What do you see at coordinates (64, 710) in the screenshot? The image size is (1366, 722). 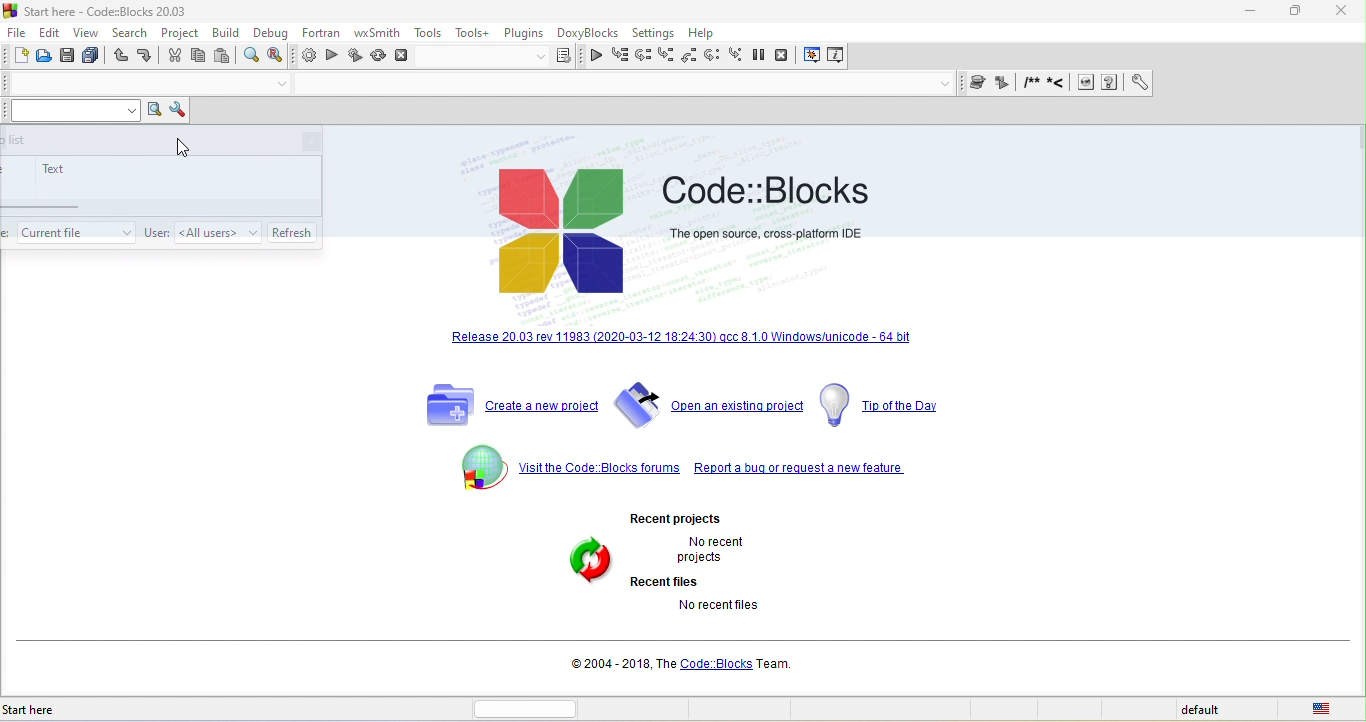 I see `start here` at bounding box center [64, 710].